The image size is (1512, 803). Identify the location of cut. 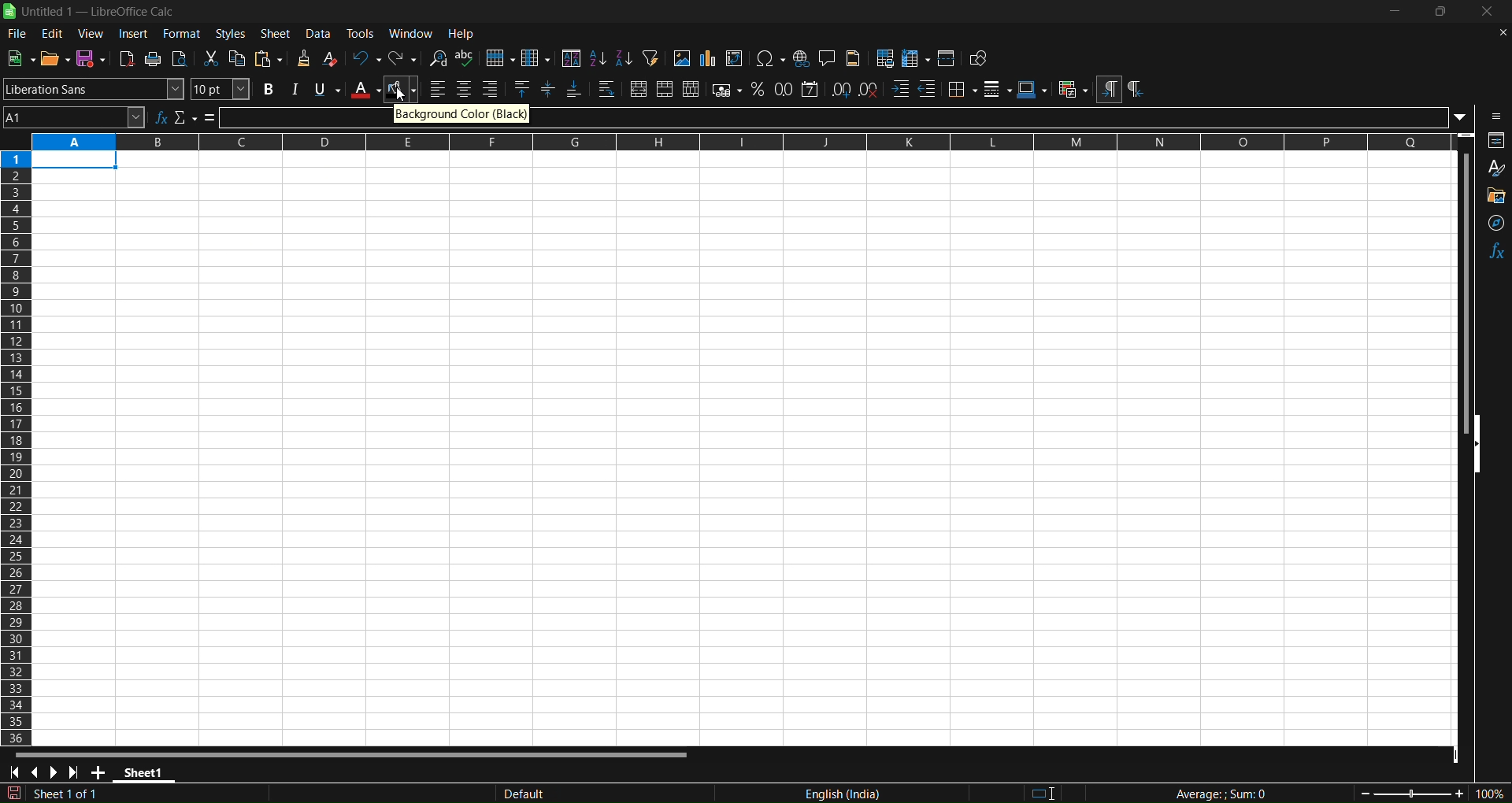
(210, 59).